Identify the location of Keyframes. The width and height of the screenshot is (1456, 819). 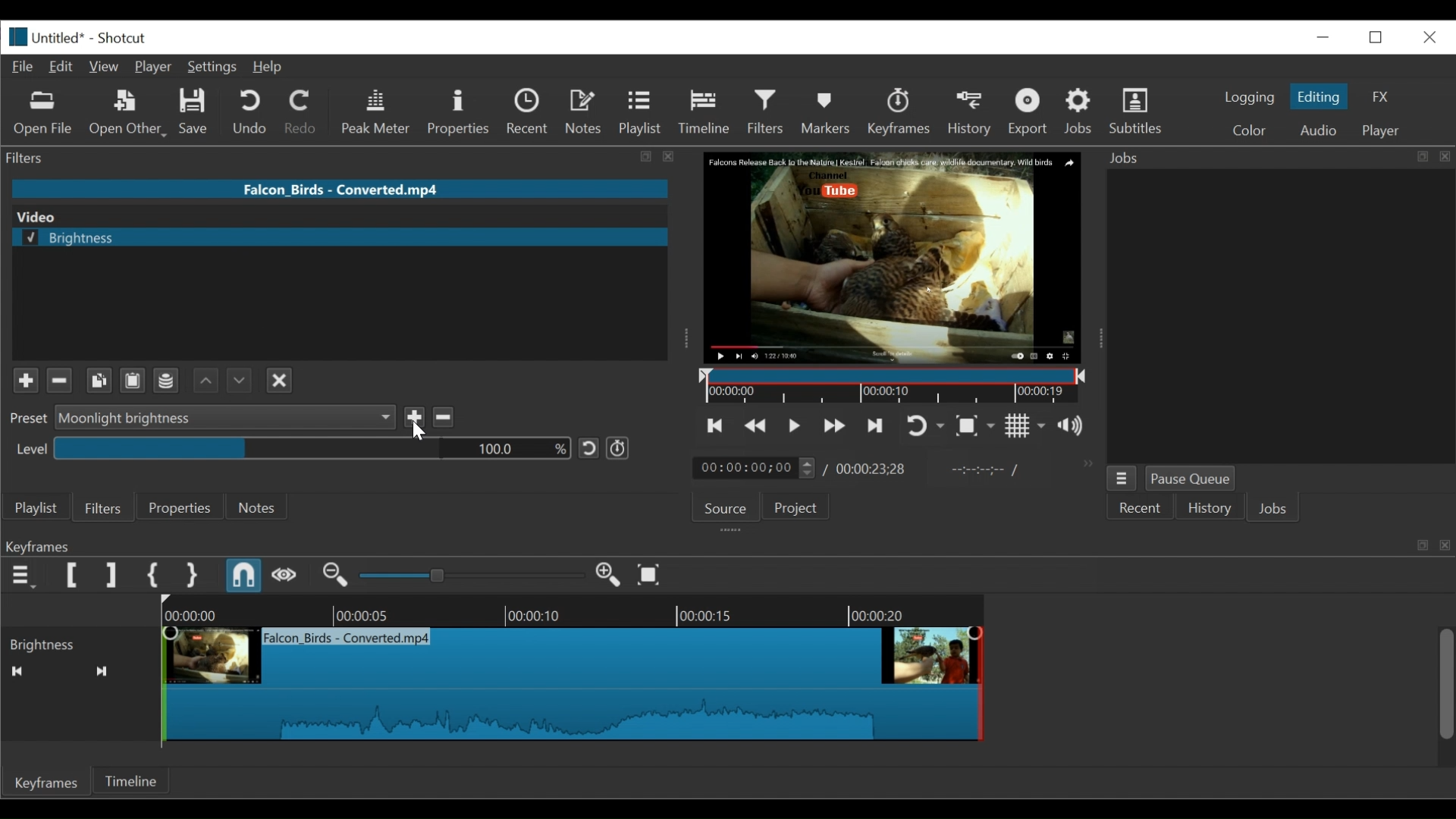
(899, 111).